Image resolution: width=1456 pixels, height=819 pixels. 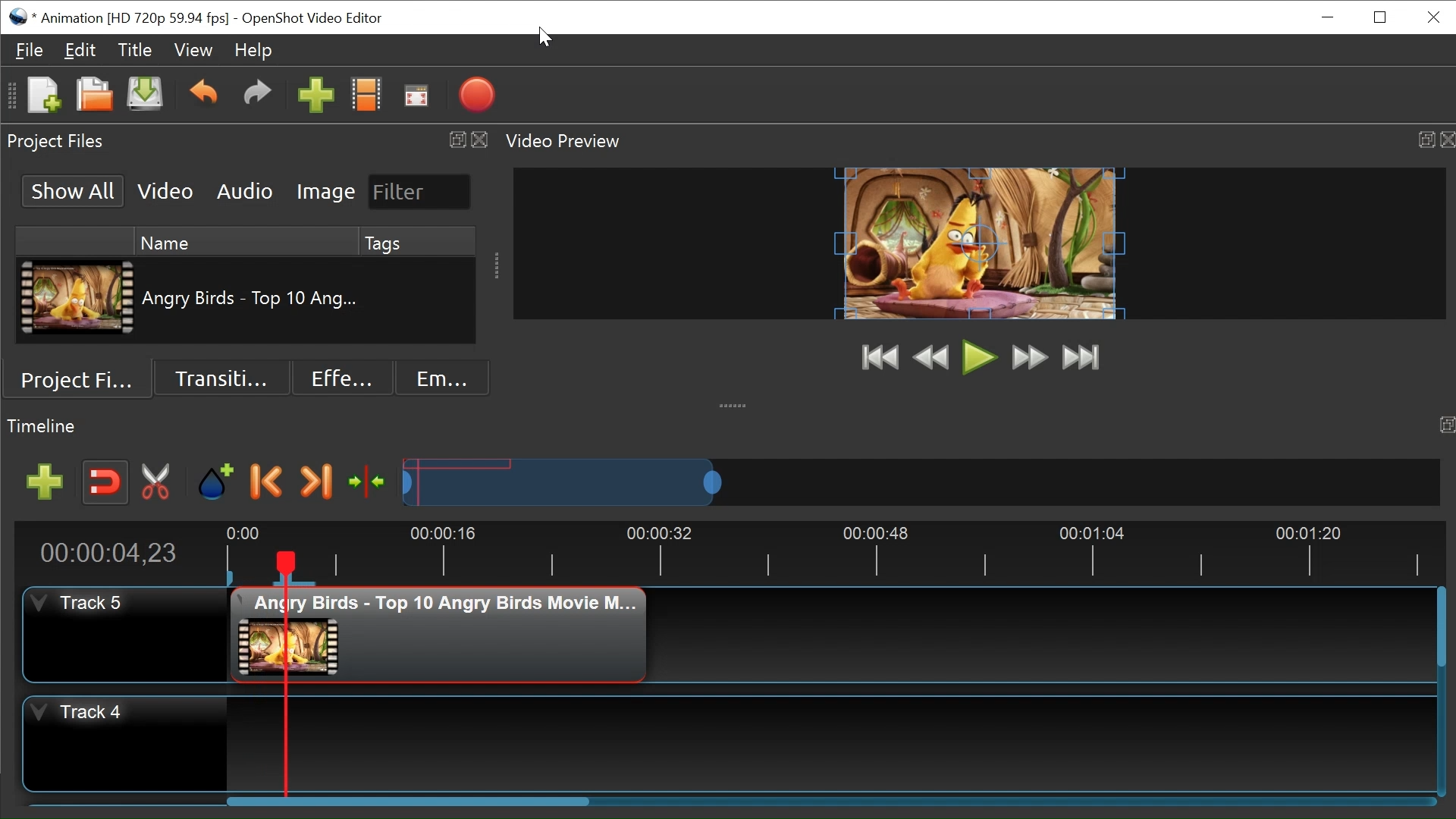 What do you see at coordinates (977, 357) in the screenshot?
I see `Play` at bounding box center [977, 357].